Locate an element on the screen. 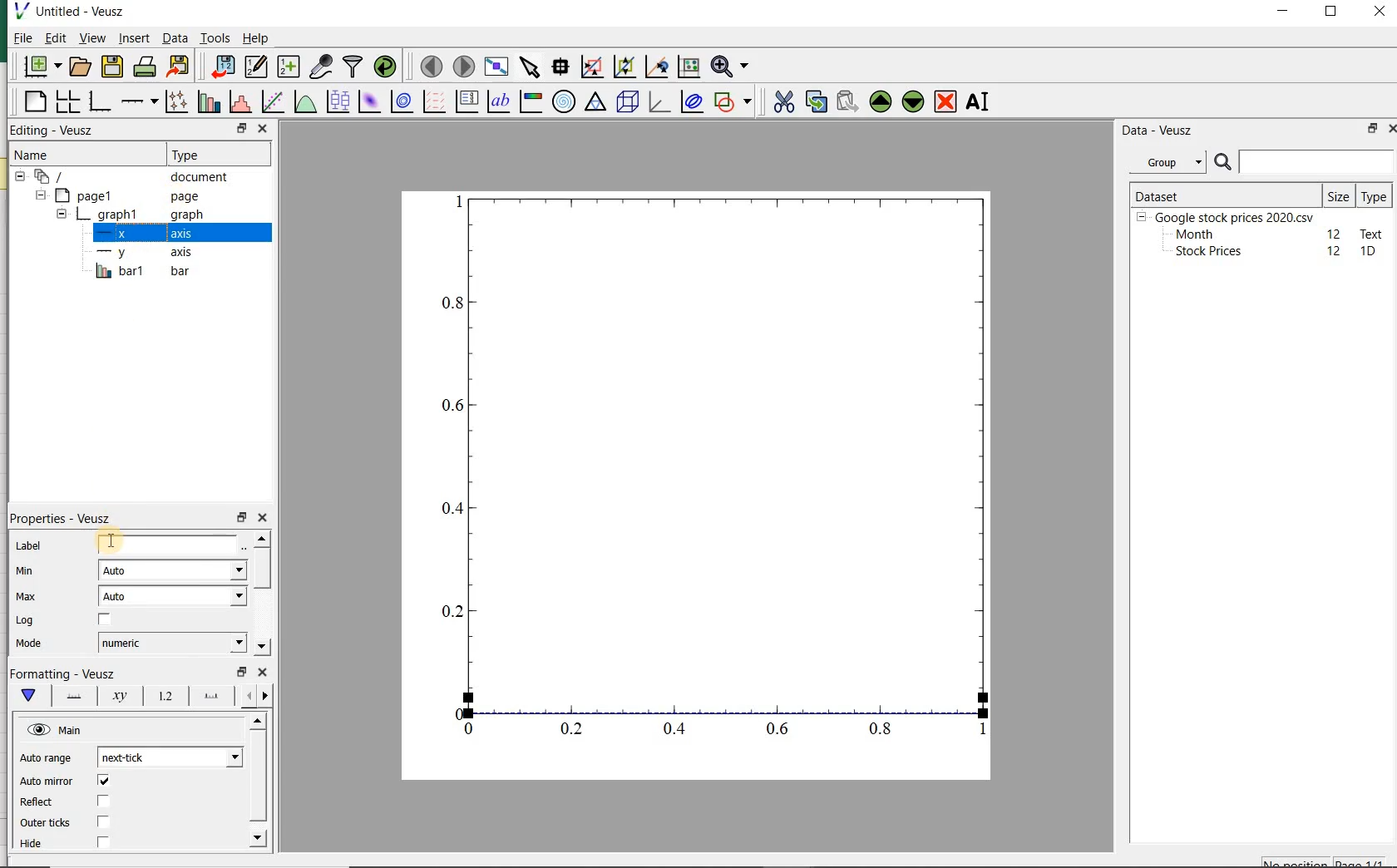 This screenshot has width=1397, height=868. tick labels is located at coordinates (164, 696).